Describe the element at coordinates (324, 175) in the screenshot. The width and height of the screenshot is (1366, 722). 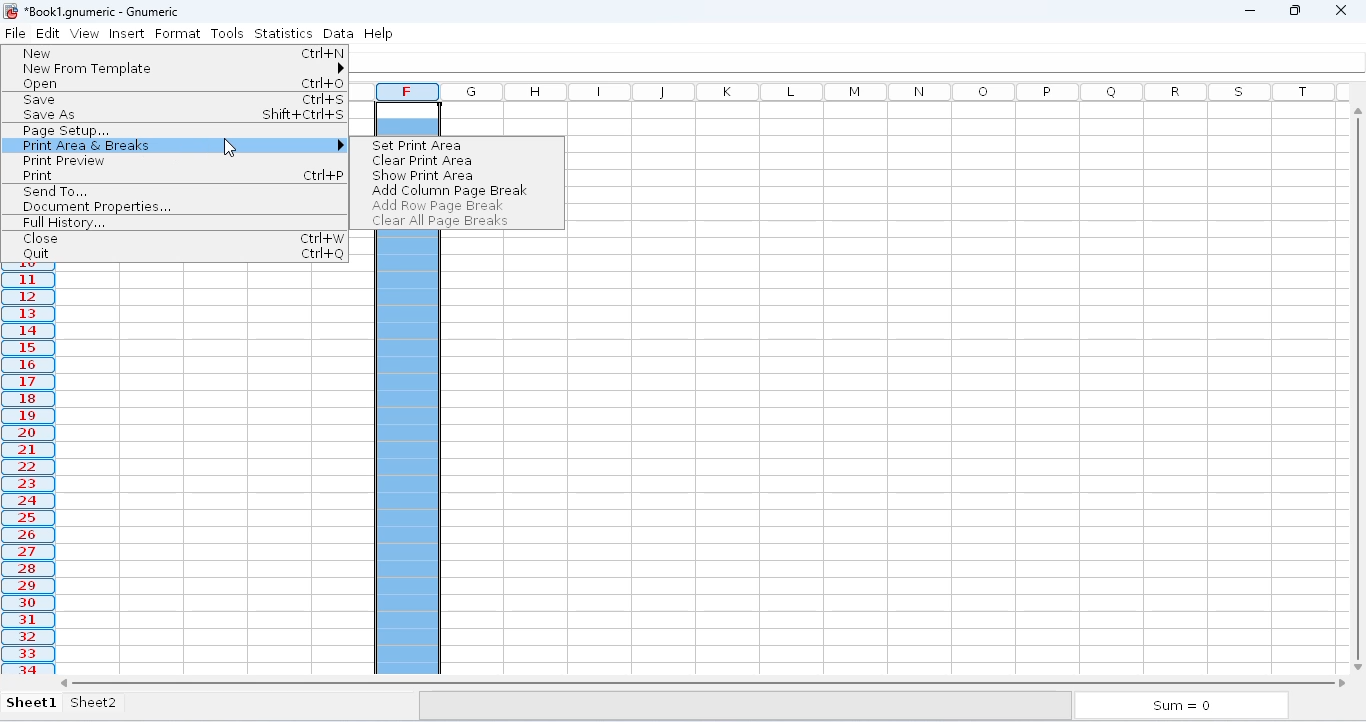
I see `shortcut for print` at that location.